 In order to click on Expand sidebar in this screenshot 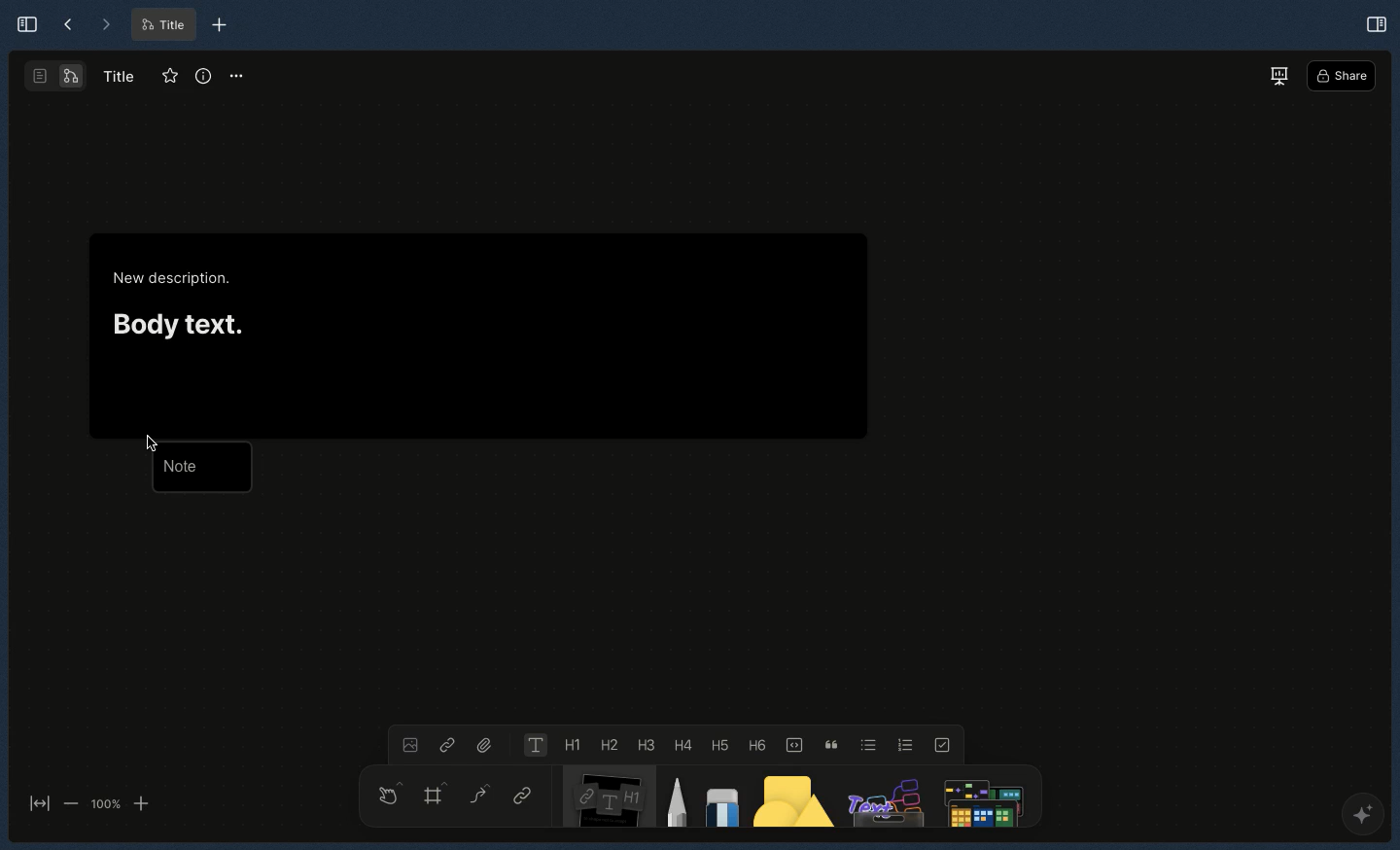, I will do `click(21, 23)`.